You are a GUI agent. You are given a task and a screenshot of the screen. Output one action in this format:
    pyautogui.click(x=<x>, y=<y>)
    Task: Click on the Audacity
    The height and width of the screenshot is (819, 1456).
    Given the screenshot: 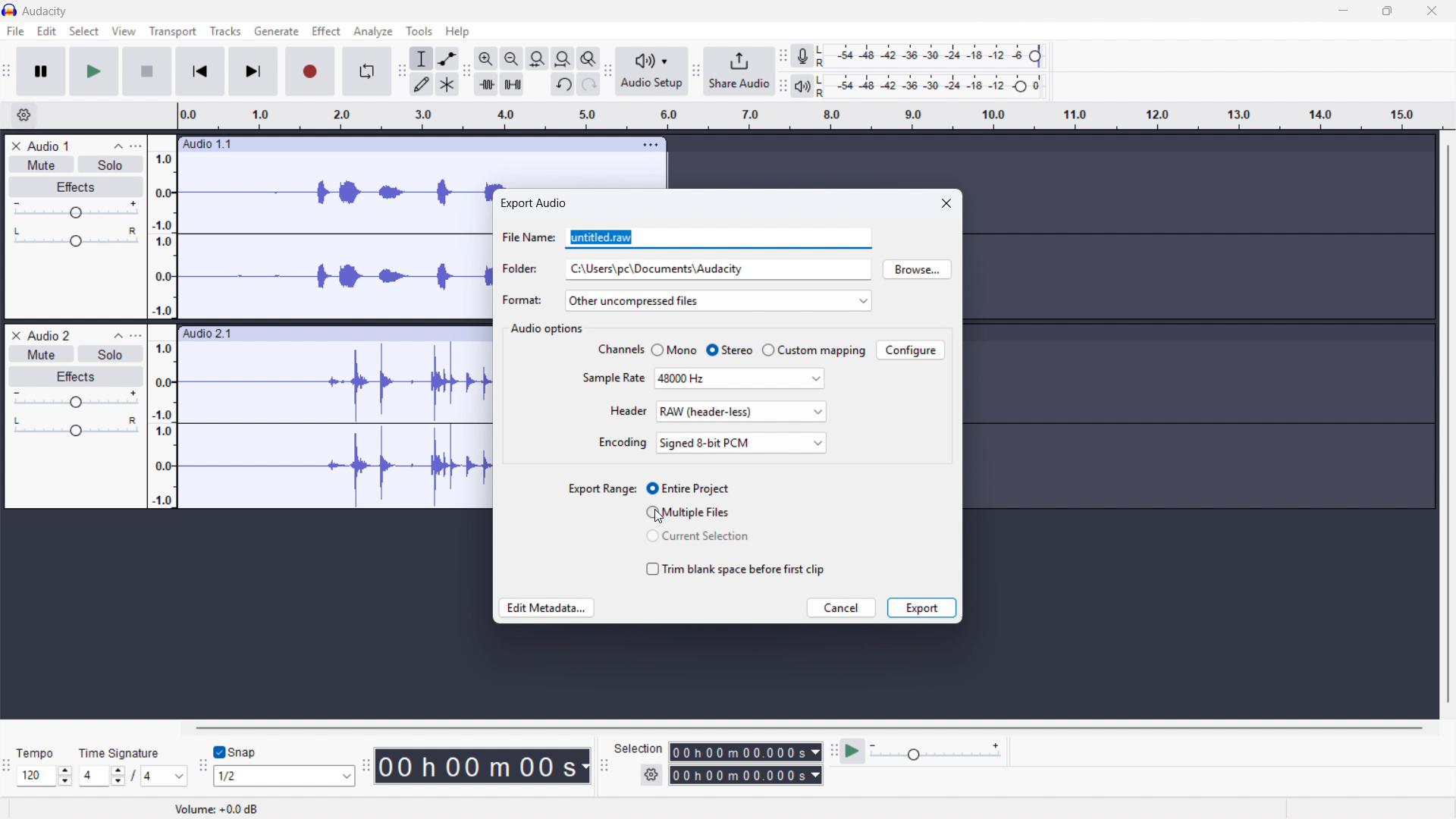 What is the action you would take?
    pyautogui.click(x=46, y=11)
    